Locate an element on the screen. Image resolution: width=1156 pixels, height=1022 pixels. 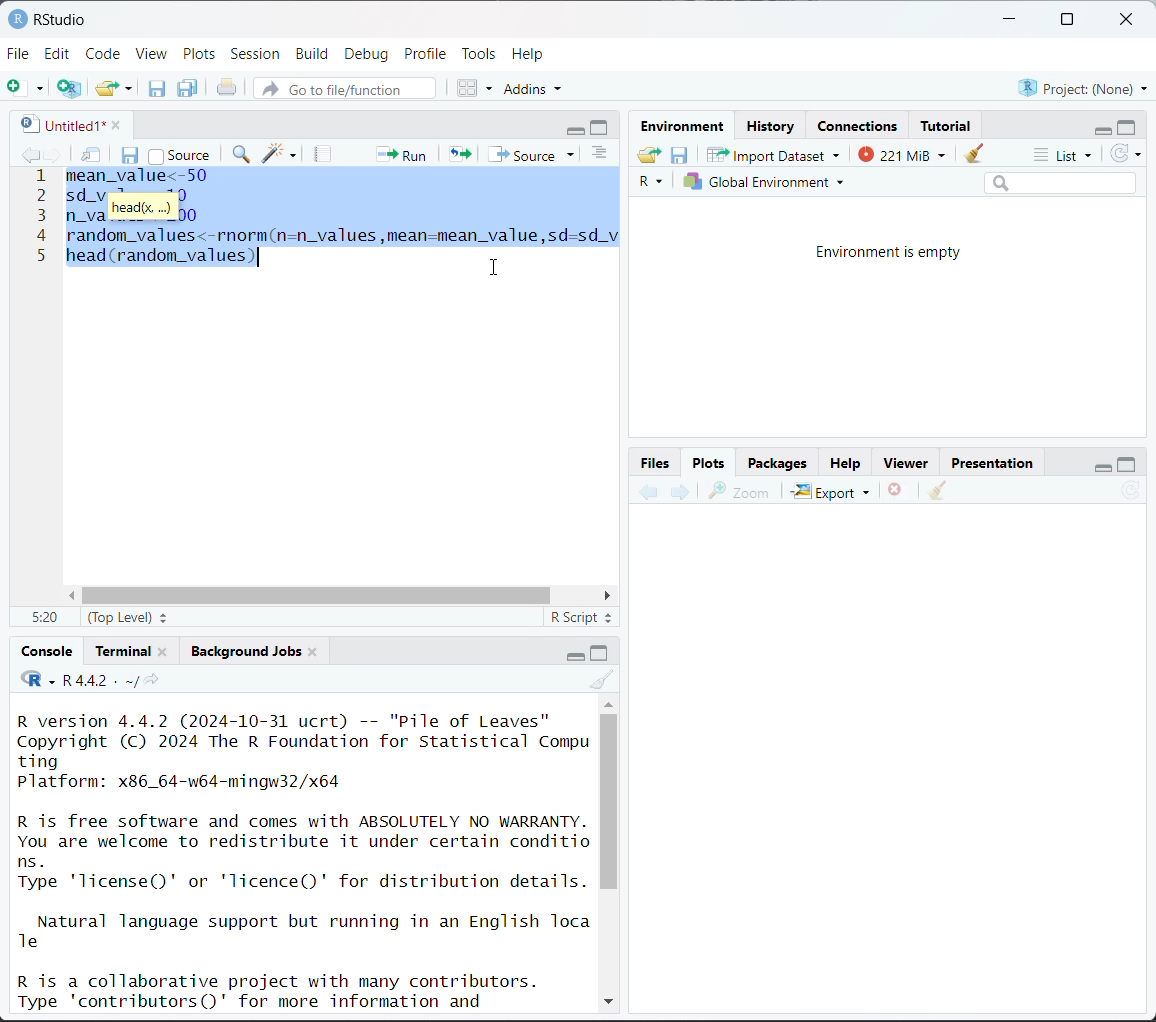
open an existing file is located at coordinates (107, 85).